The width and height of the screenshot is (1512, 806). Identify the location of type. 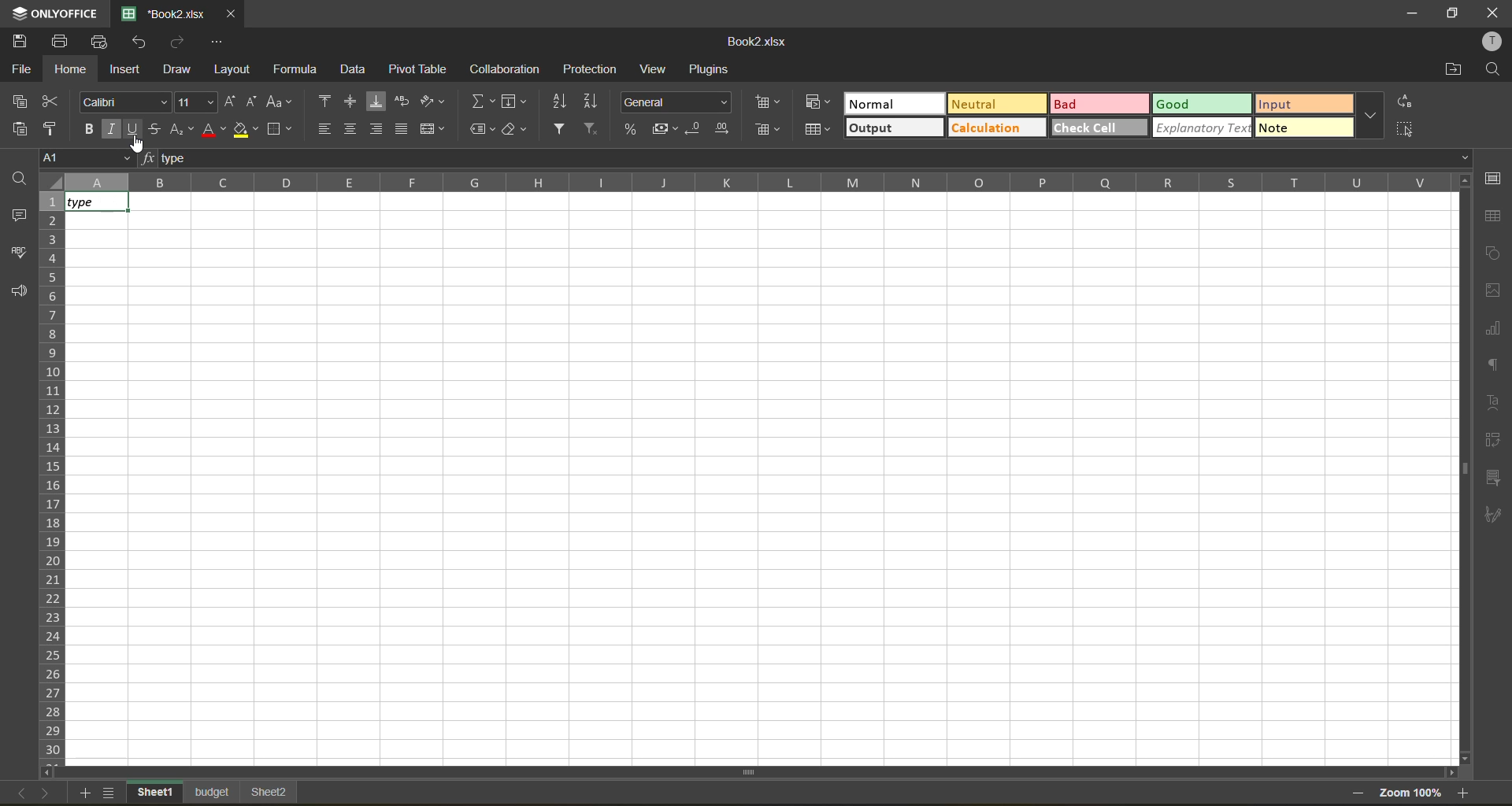
(93, 200).